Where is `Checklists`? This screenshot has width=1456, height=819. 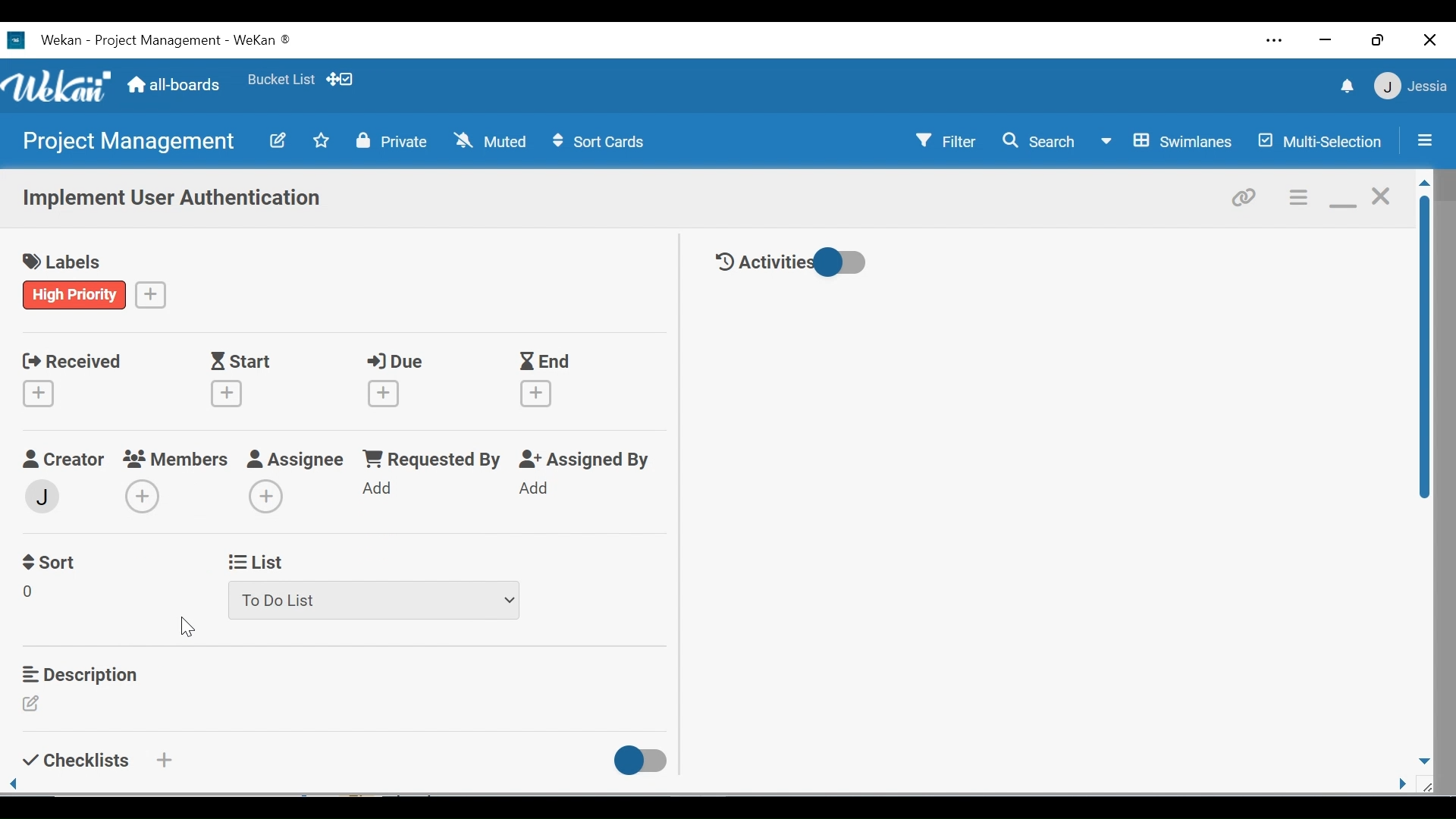
Checklists is located at coordinates (73, 760).